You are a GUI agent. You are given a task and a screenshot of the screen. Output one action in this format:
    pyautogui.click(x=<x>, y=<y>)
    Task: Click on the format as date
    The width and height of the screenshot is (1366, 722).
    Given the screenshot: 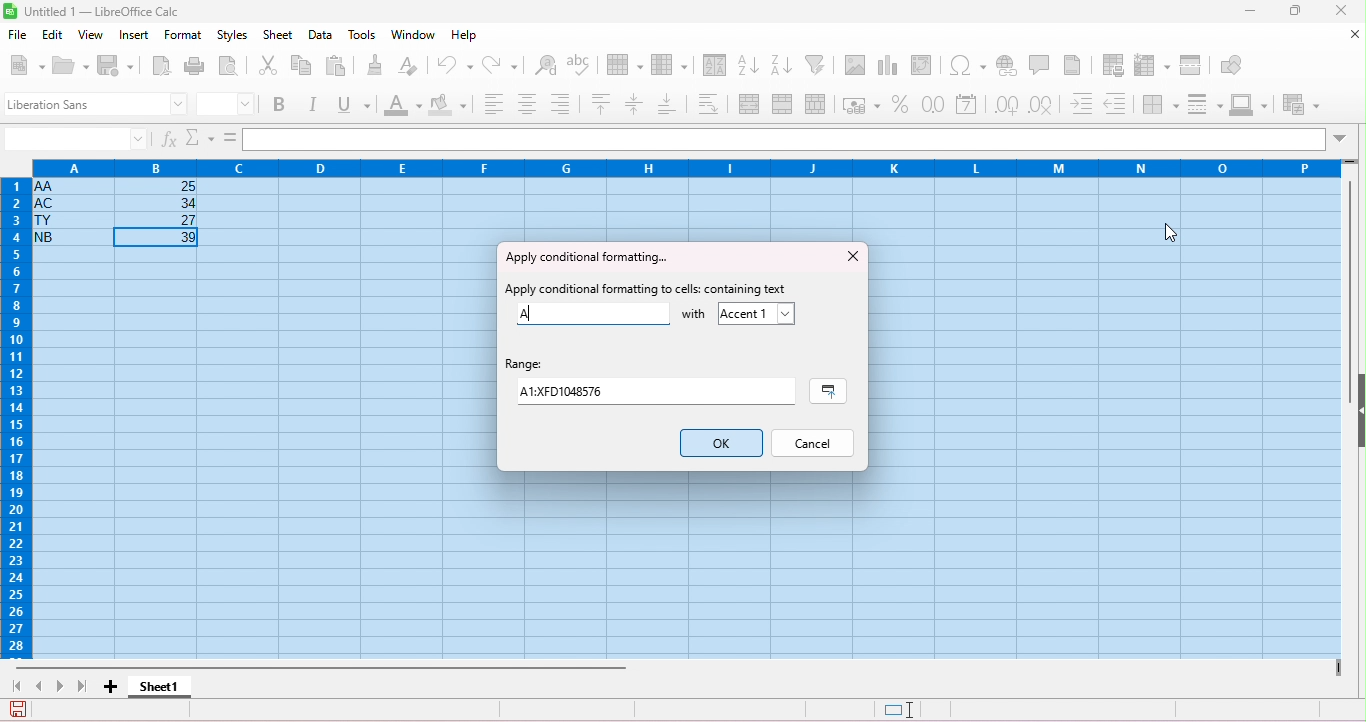 What is the action you would take?
    pyautogui.click(x=968, y=105)
    